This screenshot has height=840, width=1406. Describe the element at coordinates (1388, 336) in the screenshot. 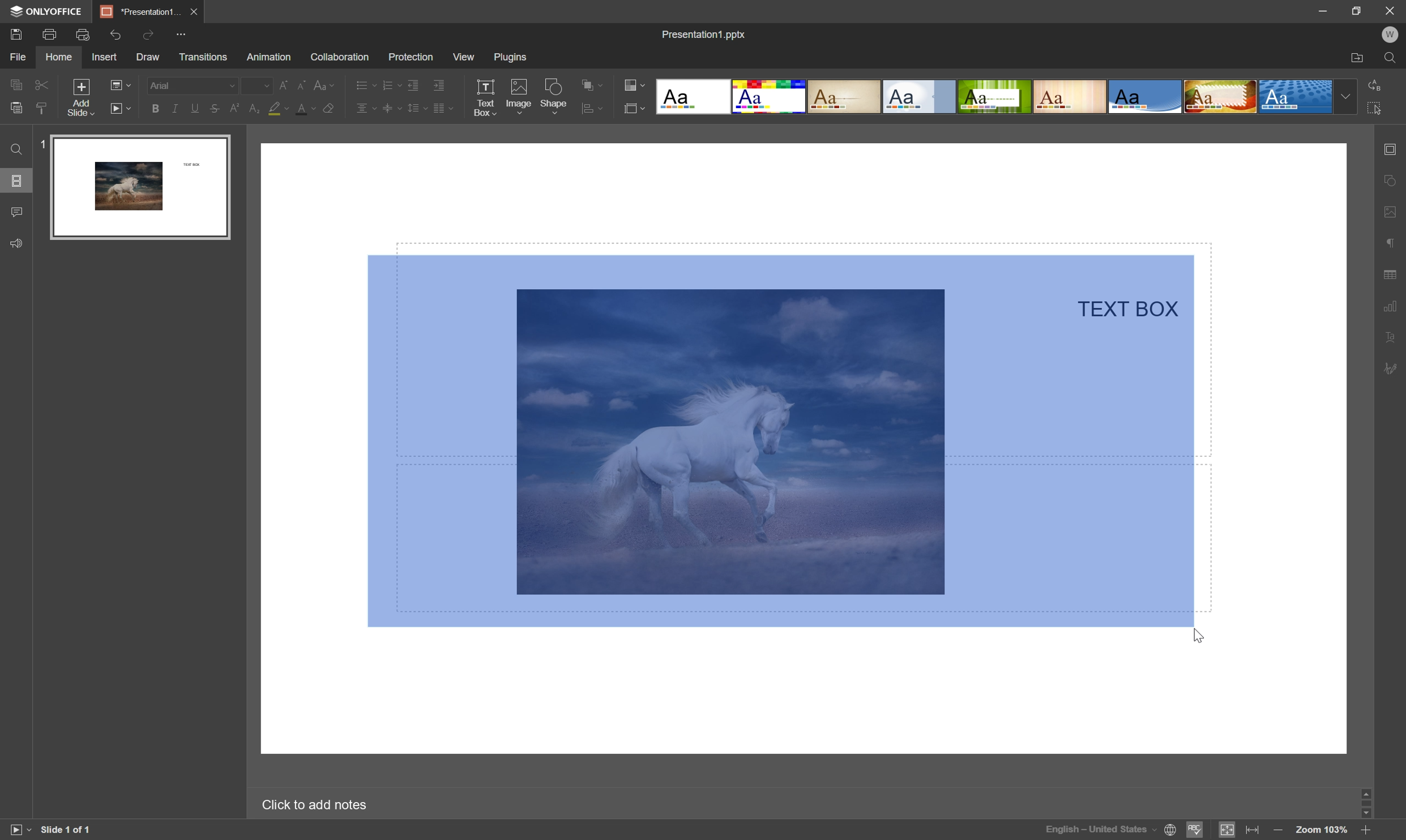

I see `text art settings` at that location.